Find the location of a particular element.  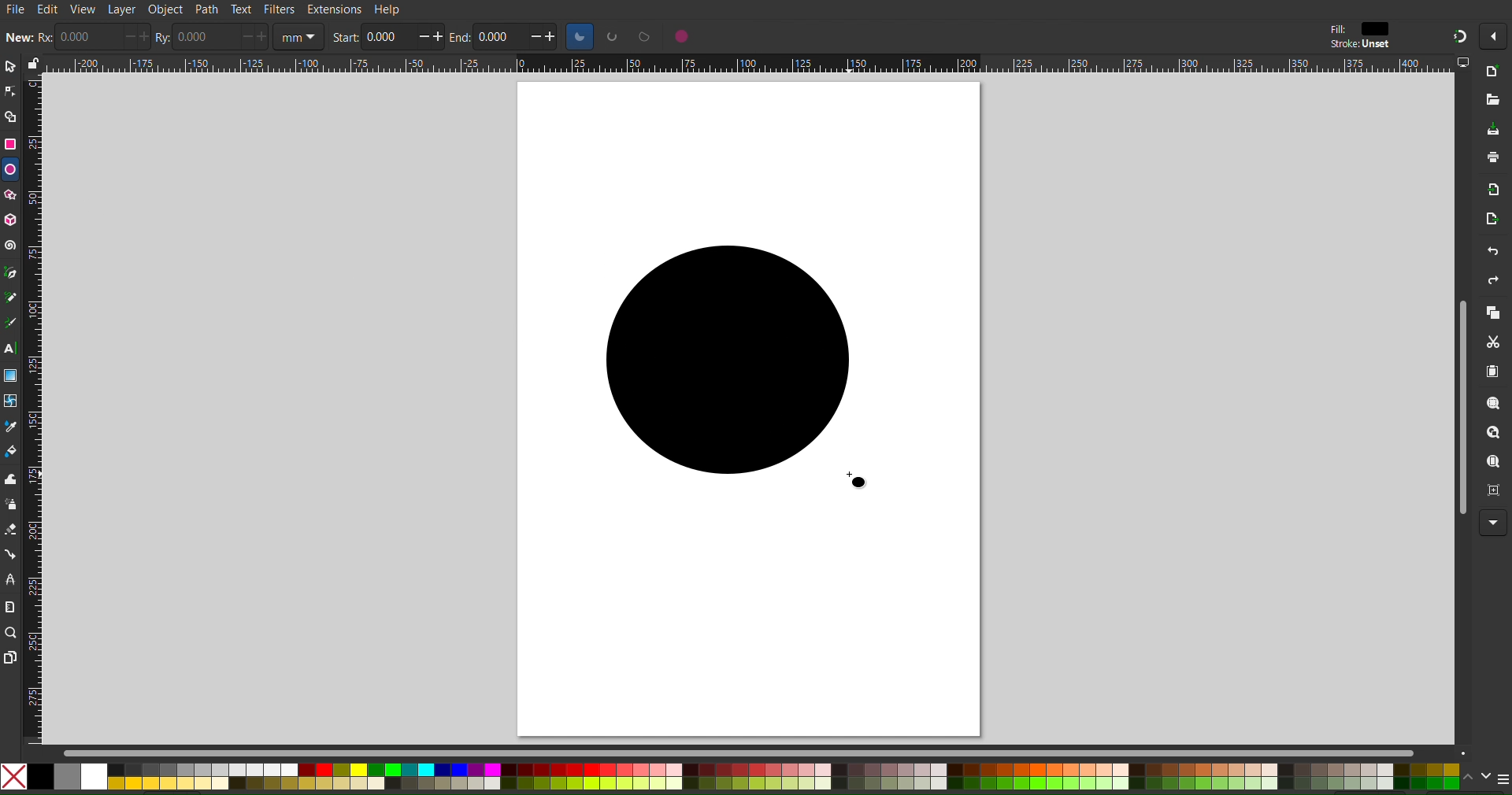

Shape Builder Tool is located at coordinates (11, 116).